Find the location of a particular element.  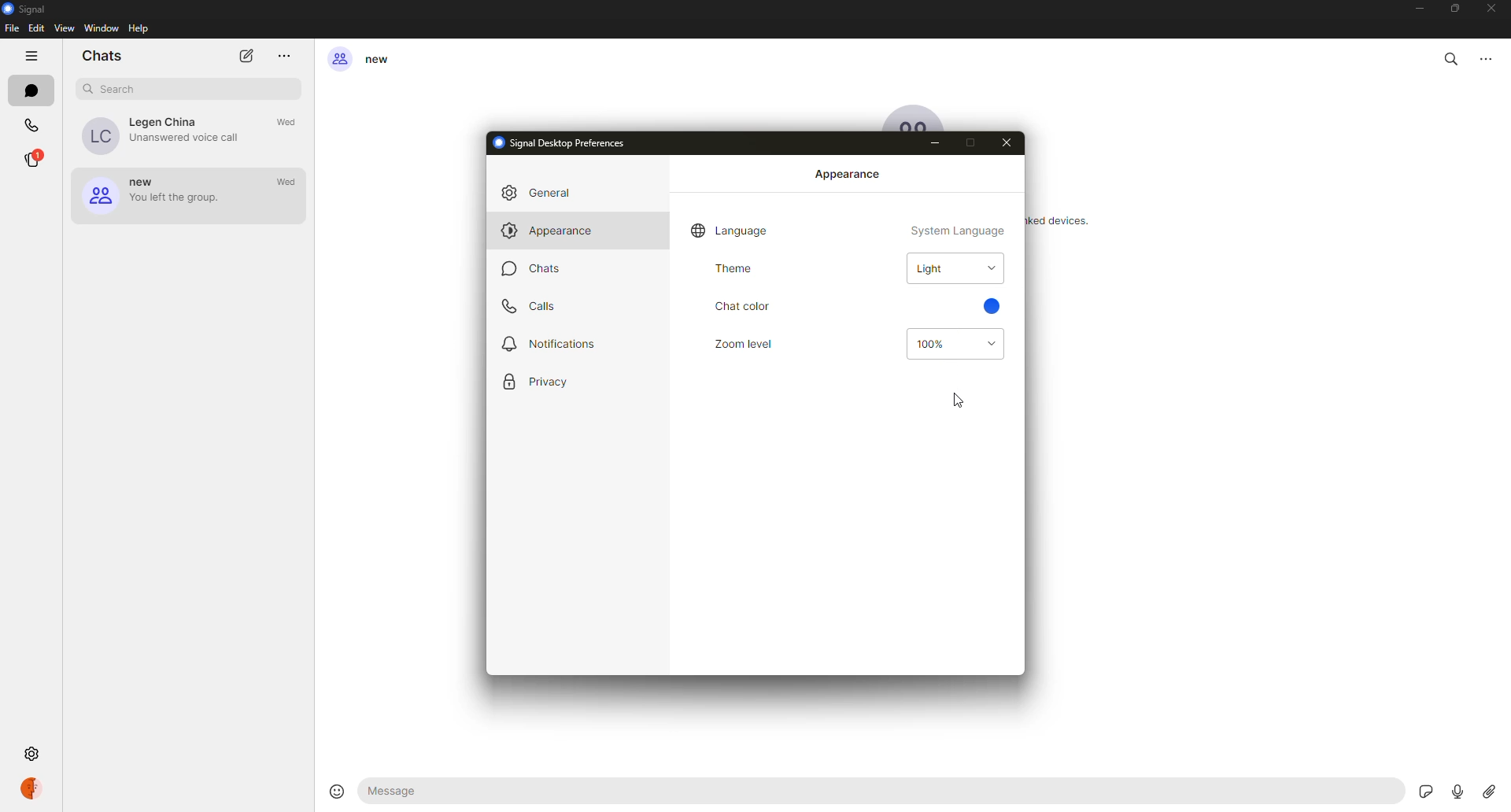

more is located at coordinates (285, 56).